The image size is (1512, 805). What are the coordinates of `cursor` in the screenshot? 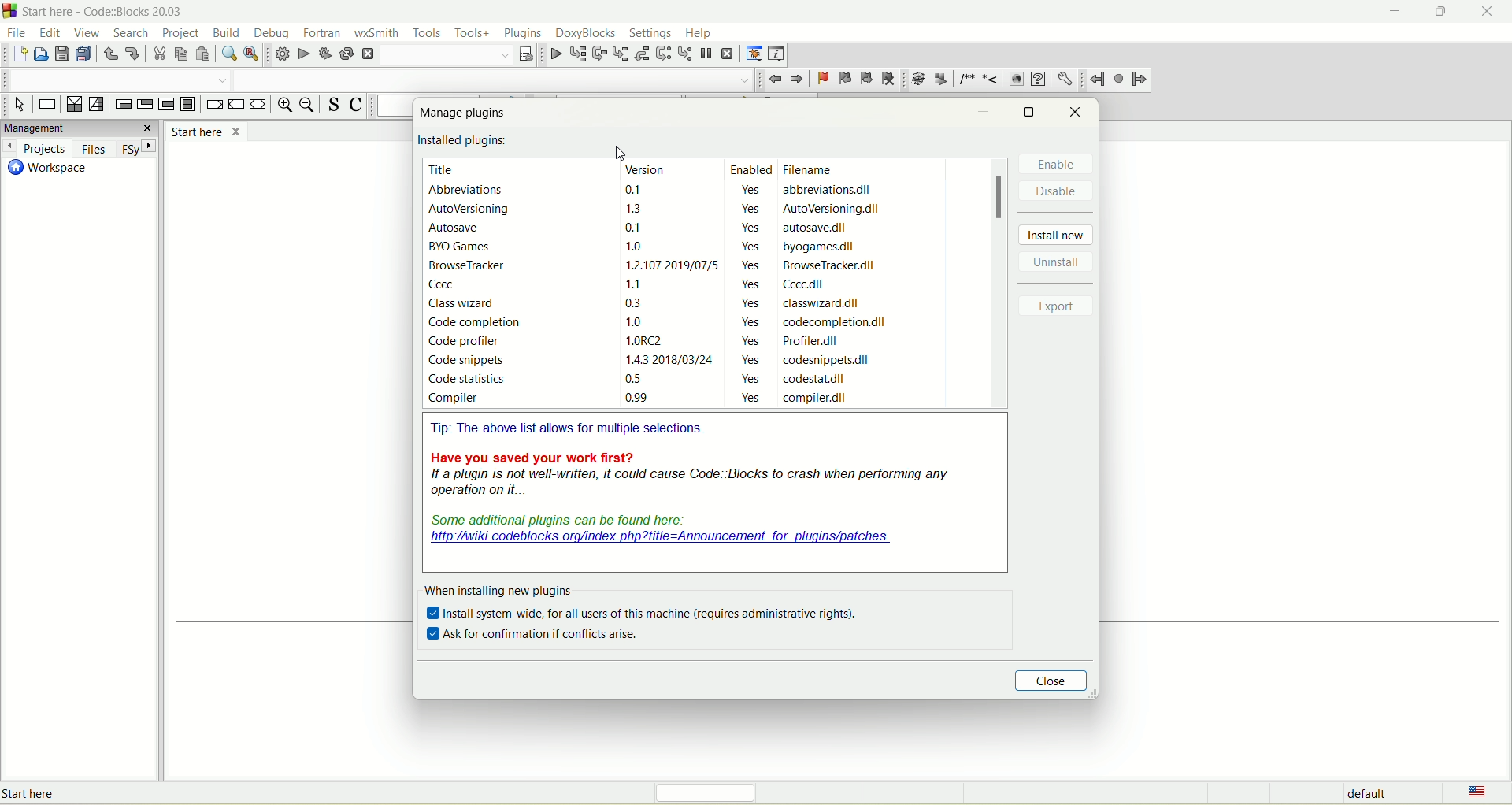 It's located at (621, 151).